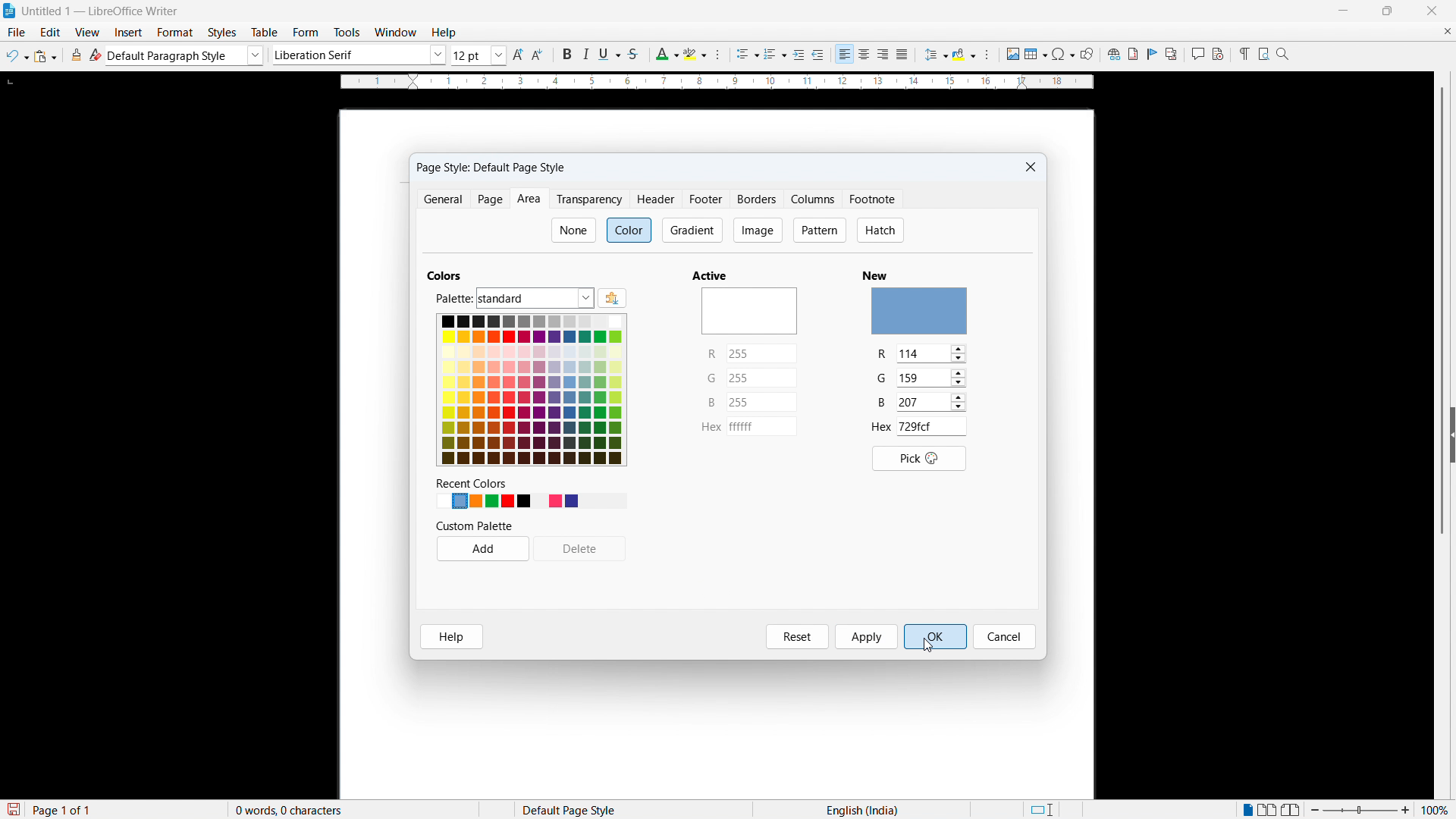 Image resolution: width=1456 pixels, height=819 pixels. Describe the element at coordinates (711, 378) in the screenshot. I see `G` at that location.